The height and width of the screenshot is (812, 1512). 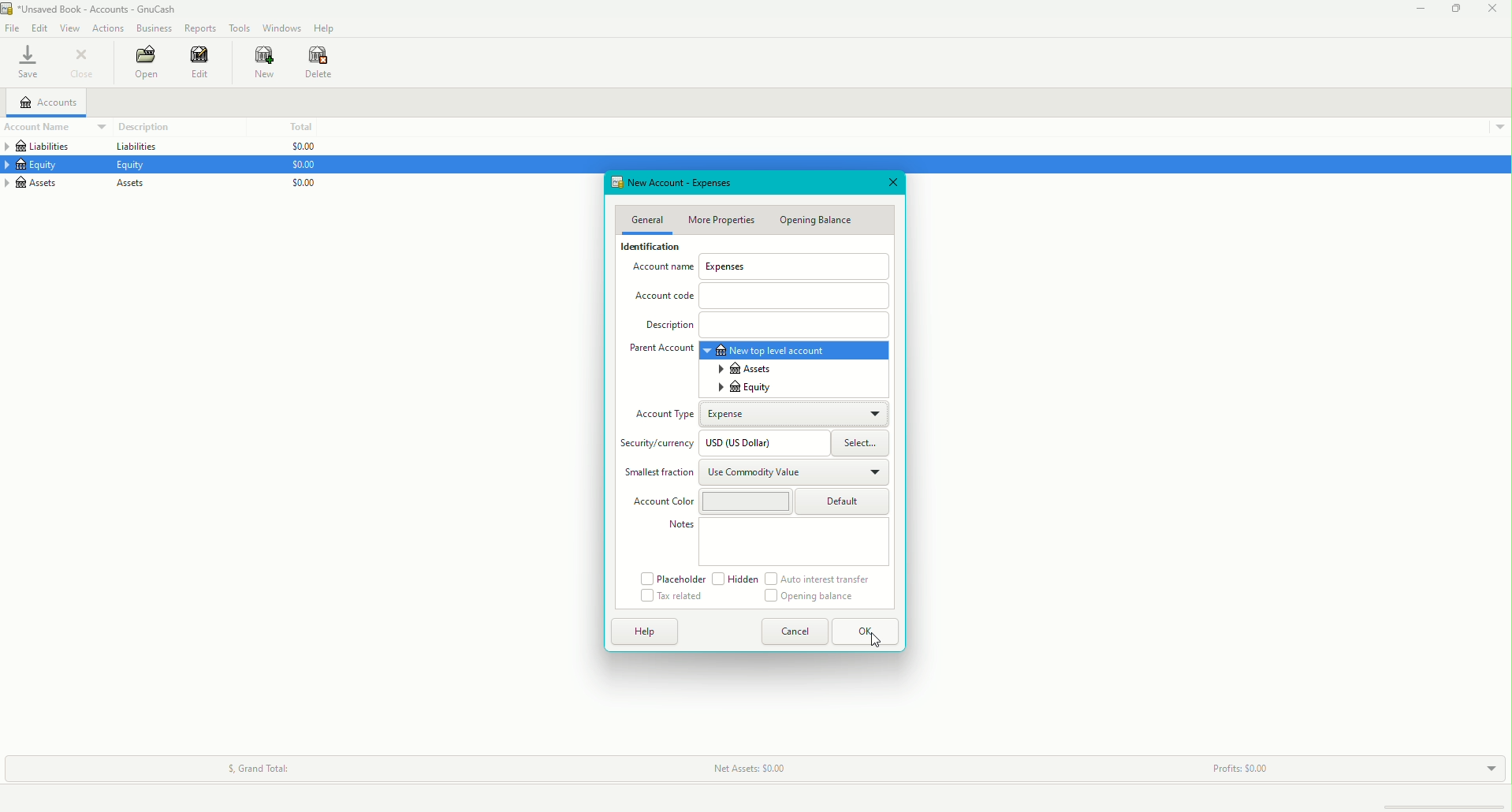 What do you see at coordinates (662, 295) in the screenshot?
I see `Account Code` at bounding box center [662, 295].